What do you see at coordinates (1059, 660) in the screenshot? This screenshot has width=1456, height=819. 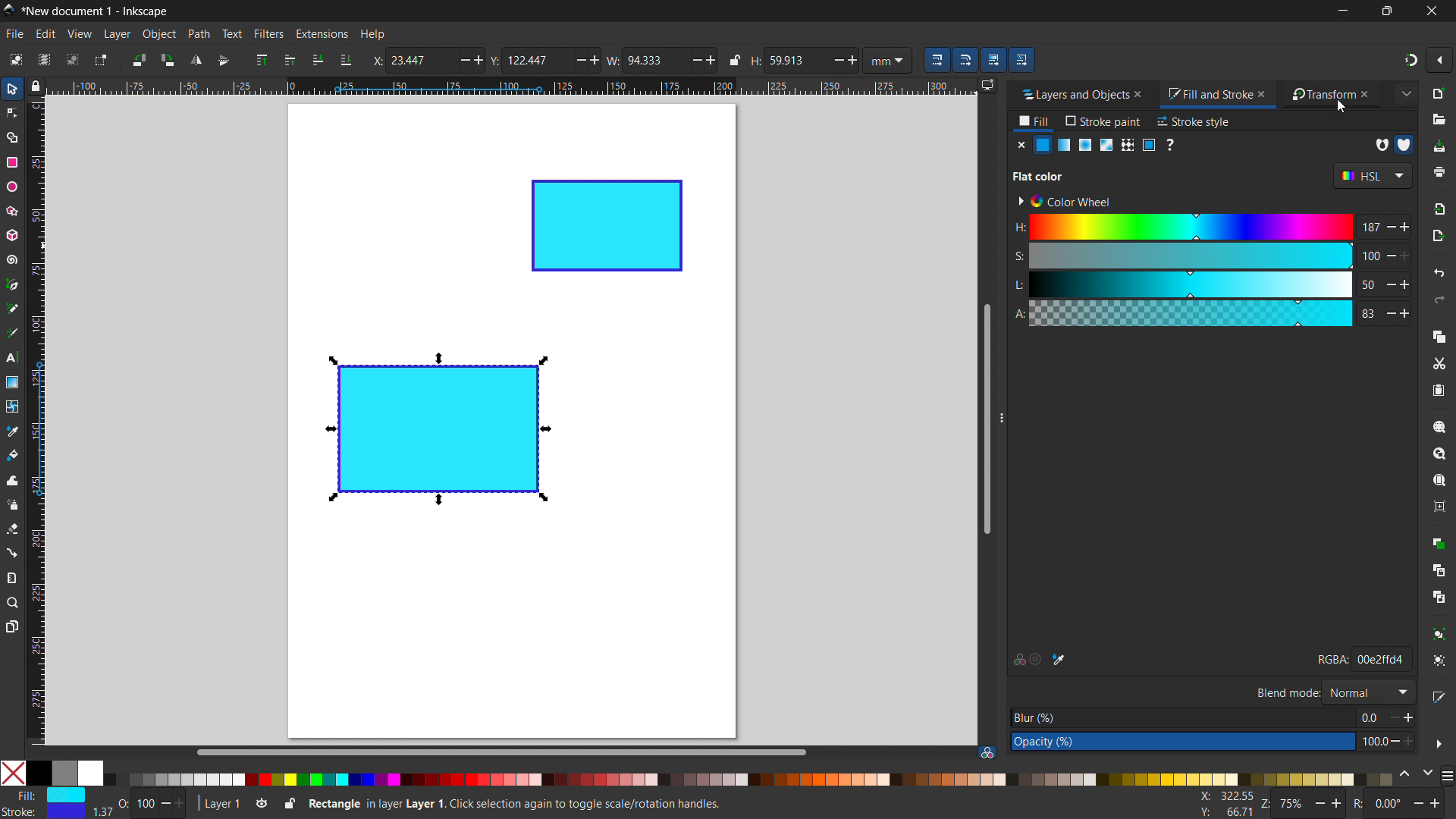 I see `pick color` at bounding box center [1059, 660].